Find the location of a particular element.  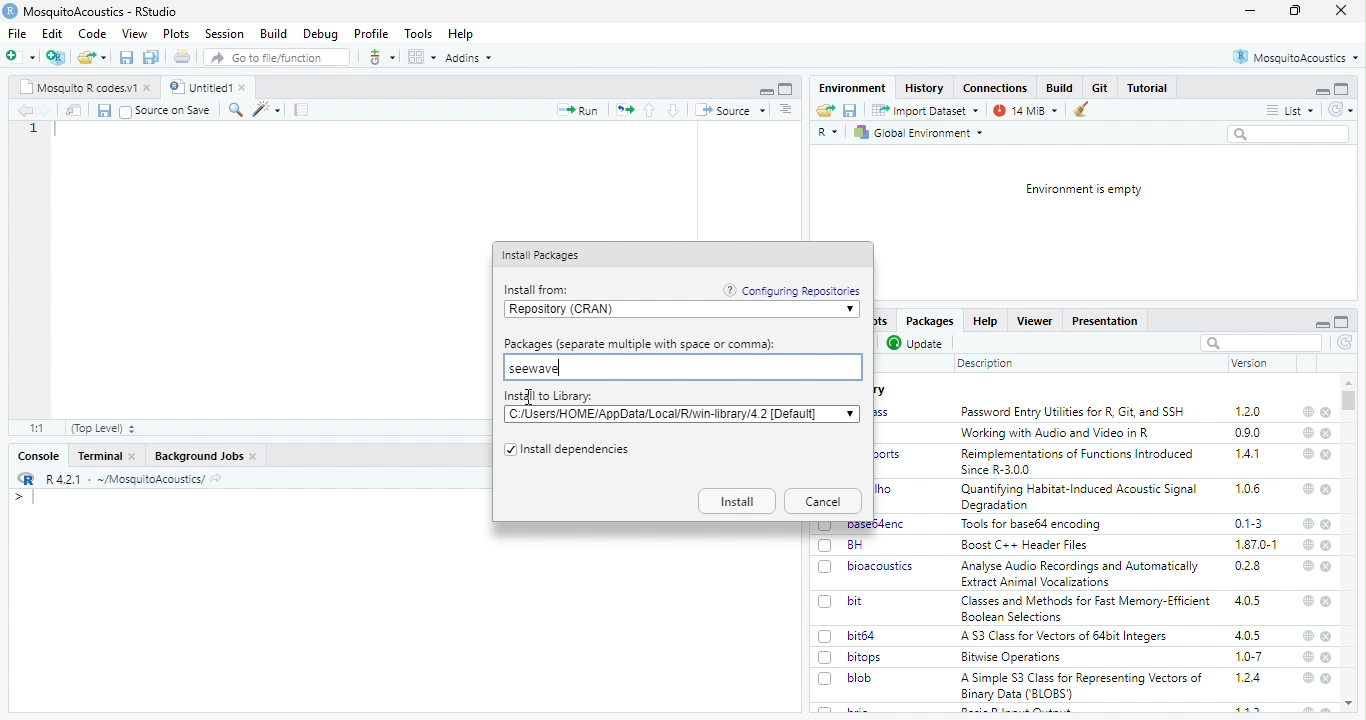

close is located at coordinates (133, 456).